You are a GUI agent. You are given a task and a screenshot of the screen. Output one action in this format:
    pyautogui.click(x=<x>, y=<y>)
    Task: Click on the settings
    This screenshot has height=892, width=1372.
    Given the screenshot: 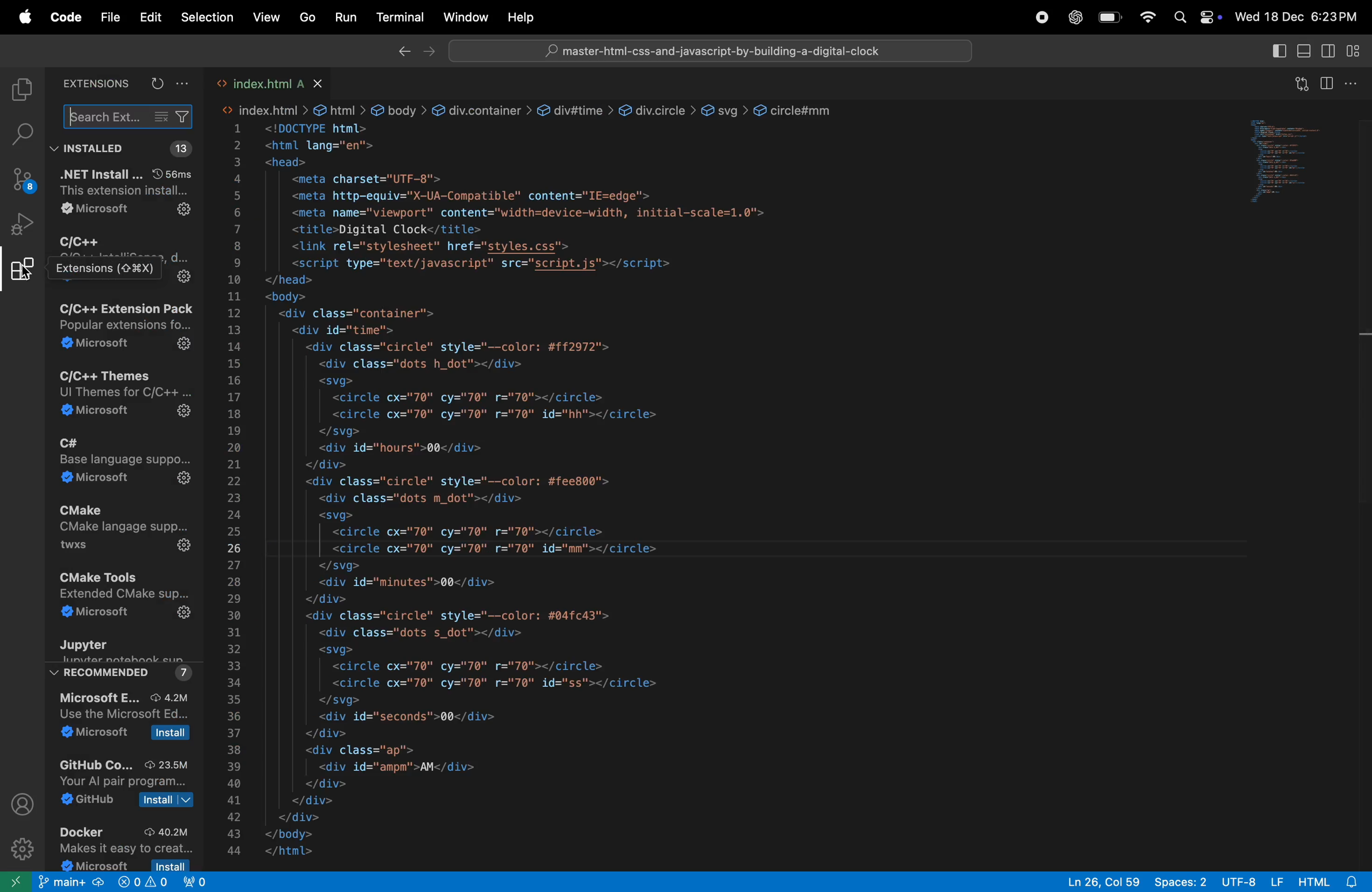 What is the action you would take?
    pyautogui.click(x=23, y=848)
    